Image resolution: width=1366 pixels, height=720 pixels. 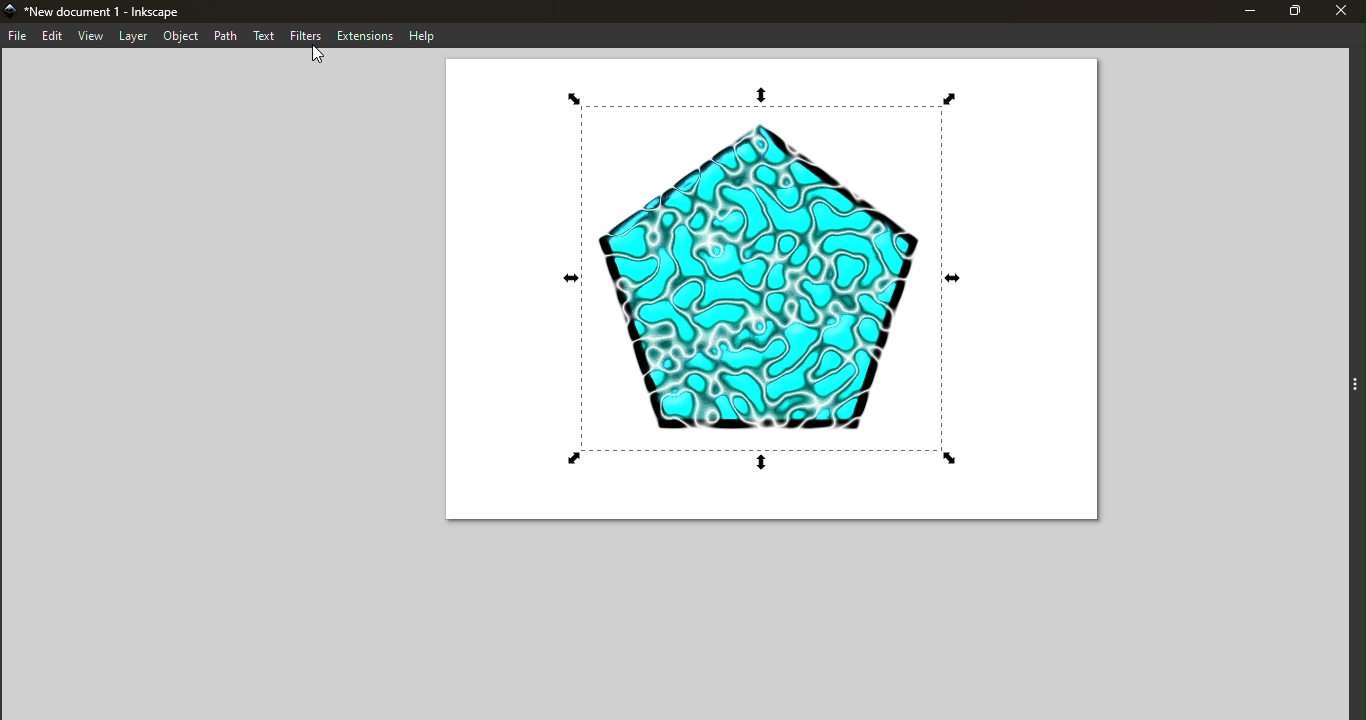 I want to click on Help, so click(x=428, y=34).